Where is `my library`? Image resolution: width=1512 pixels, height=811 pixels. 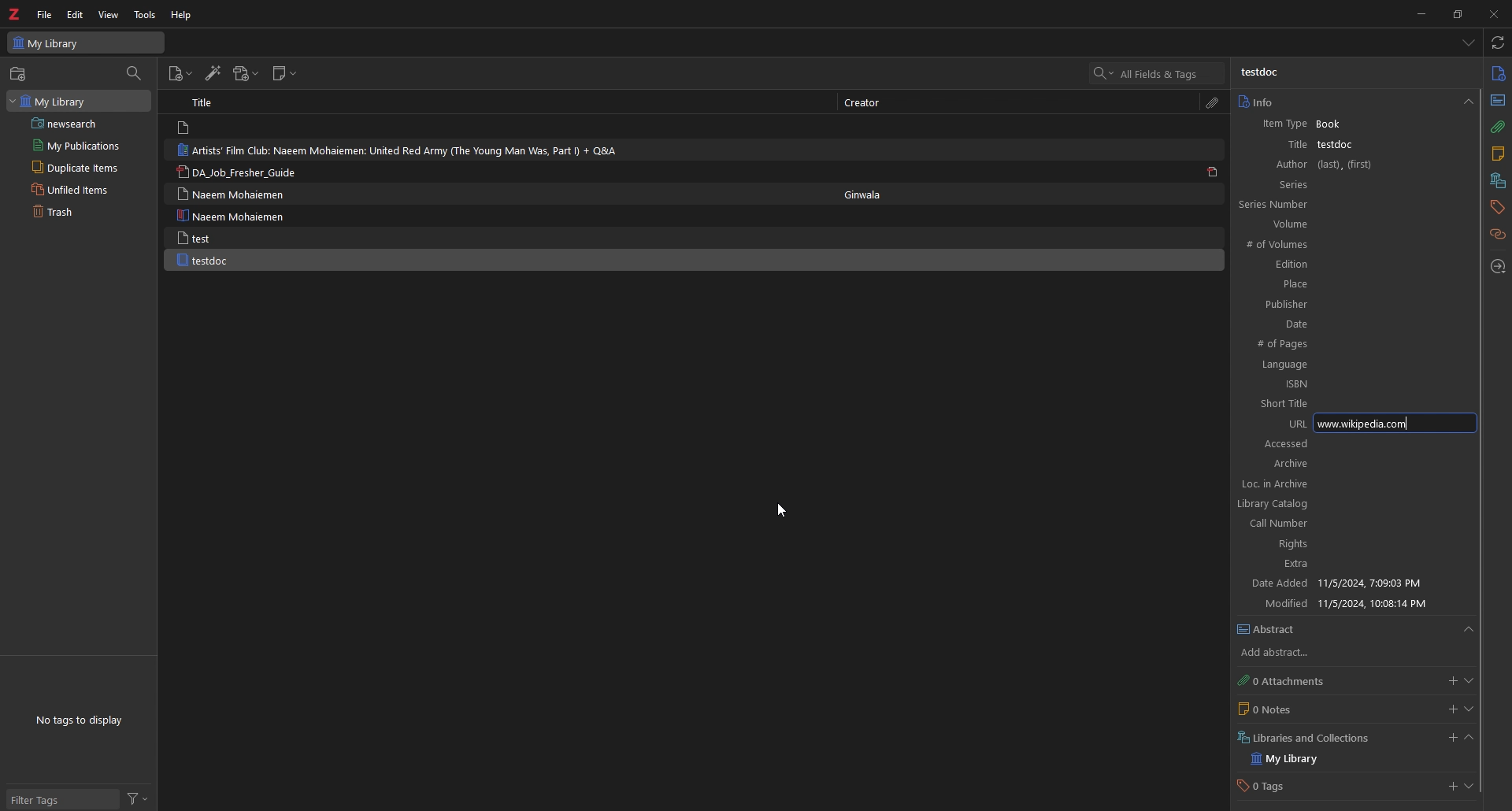
my library is located at coordinates (79, 101).